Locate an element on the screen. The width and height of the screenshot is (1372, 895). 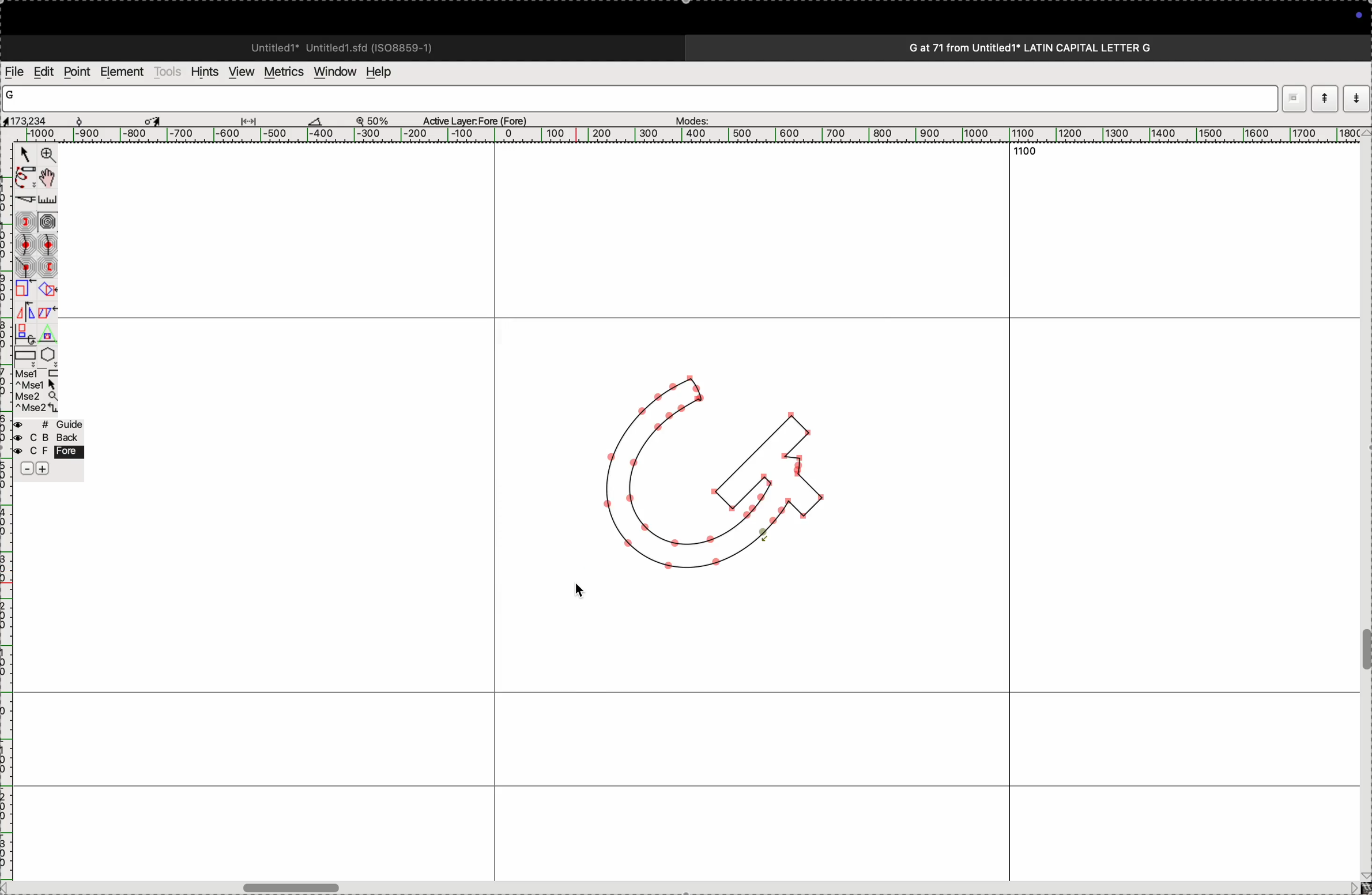
show previous word list is located at coordinates (1358, 97).